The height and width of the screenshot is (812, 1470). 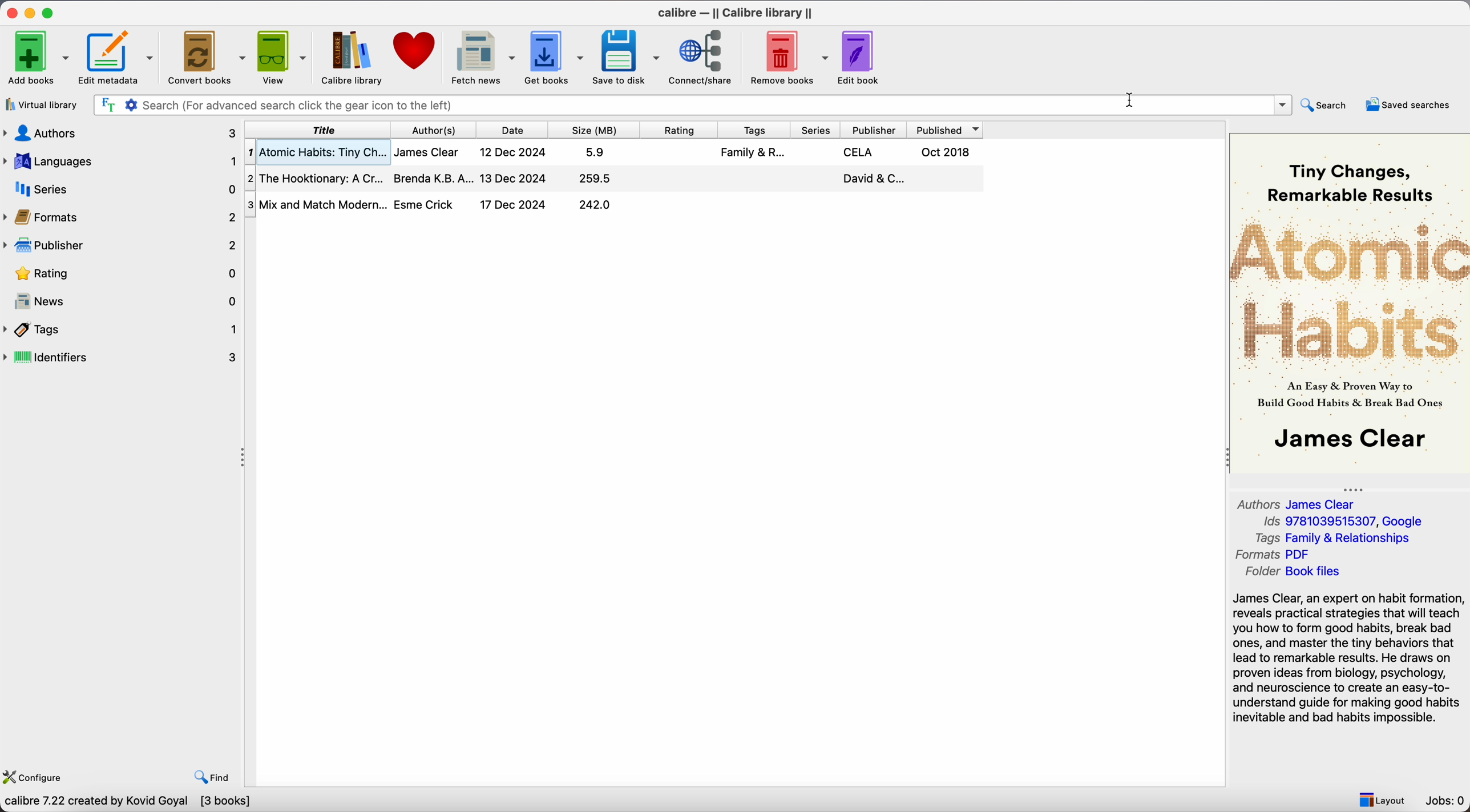 What do you see at coordinates (515, 130) in the screenshot?
I see `date` at bounding box center [515, 130].